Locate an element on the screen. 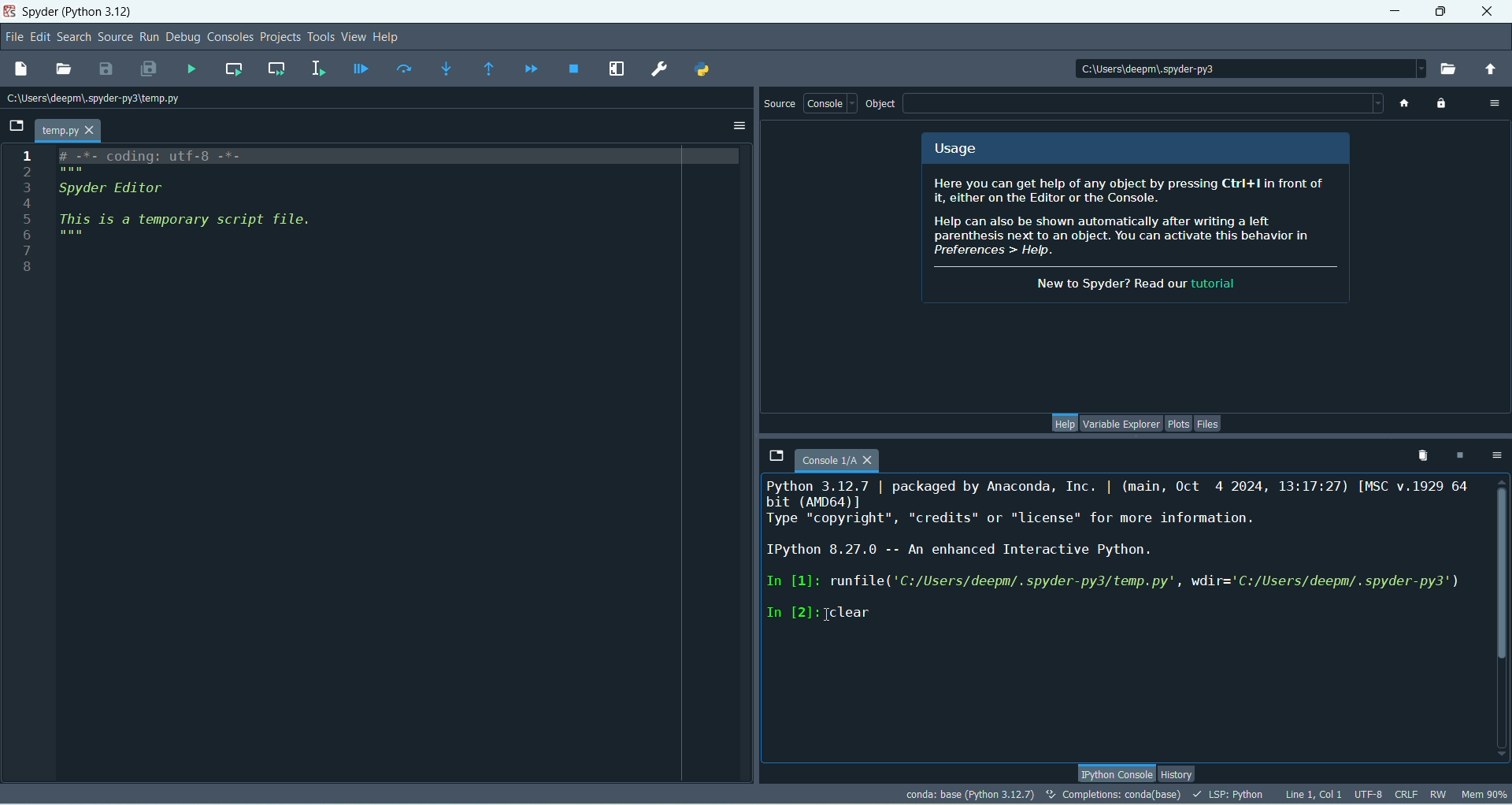  home is located at coordinates (1403, 104).